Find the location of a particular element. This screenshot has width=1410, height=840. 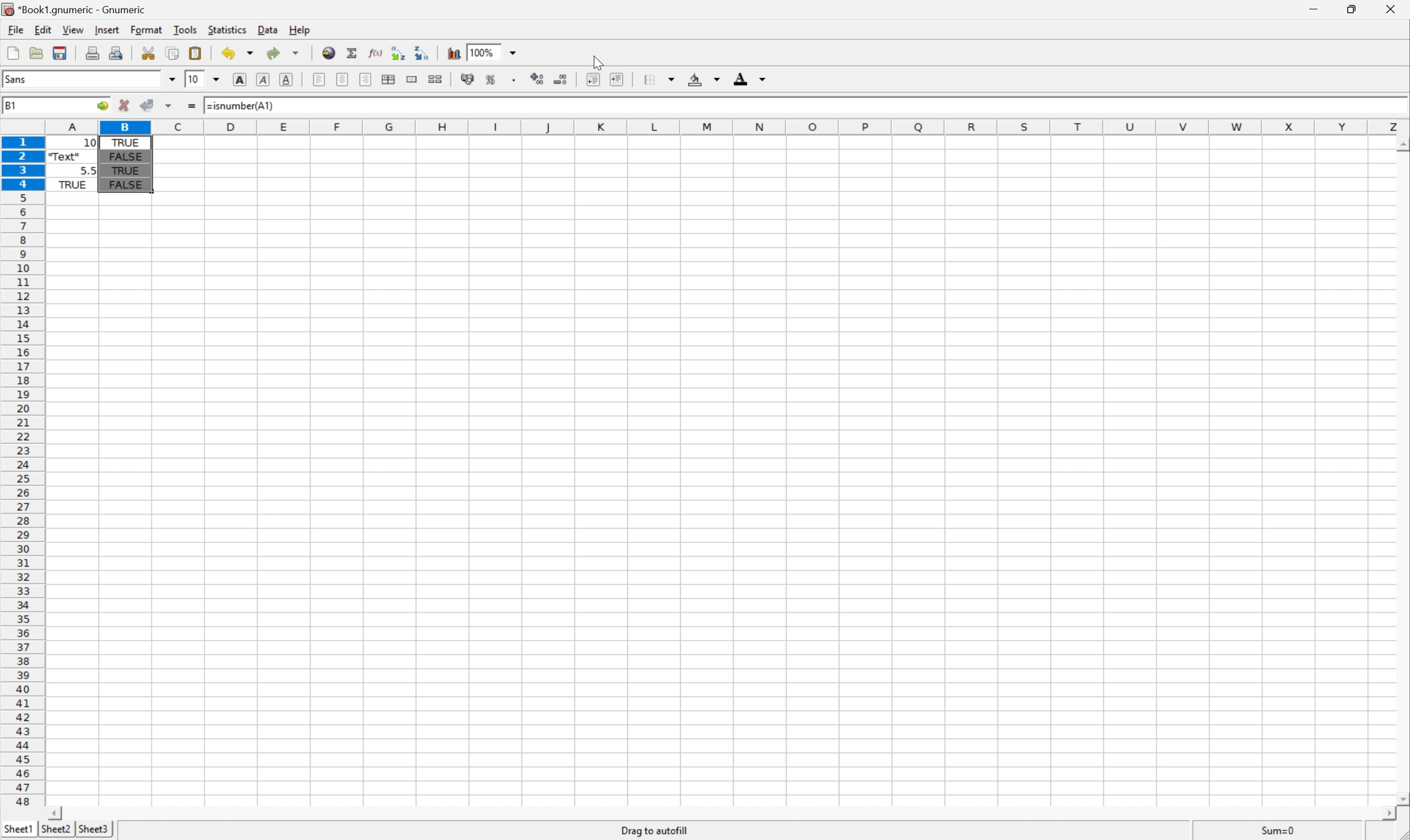

Paste a clipboard is located at coordinates (195, 52).